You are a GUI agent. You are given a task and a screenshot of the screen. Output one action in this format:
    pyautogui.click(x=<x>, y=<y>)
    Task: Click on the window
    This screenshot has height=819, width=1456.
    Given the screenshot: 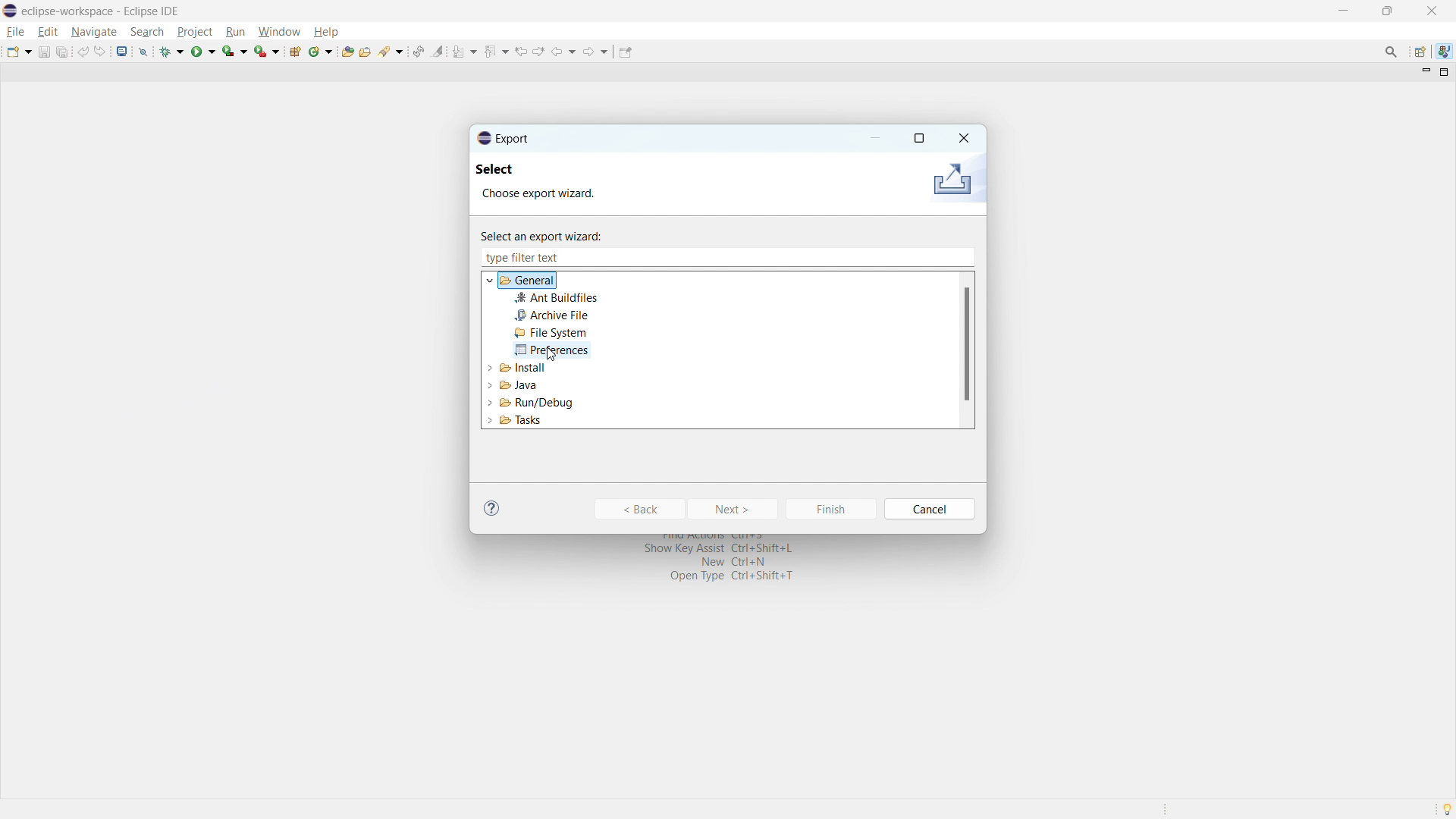 What is the action you would take?
    pyautogui.click(x=279, y=32)
    